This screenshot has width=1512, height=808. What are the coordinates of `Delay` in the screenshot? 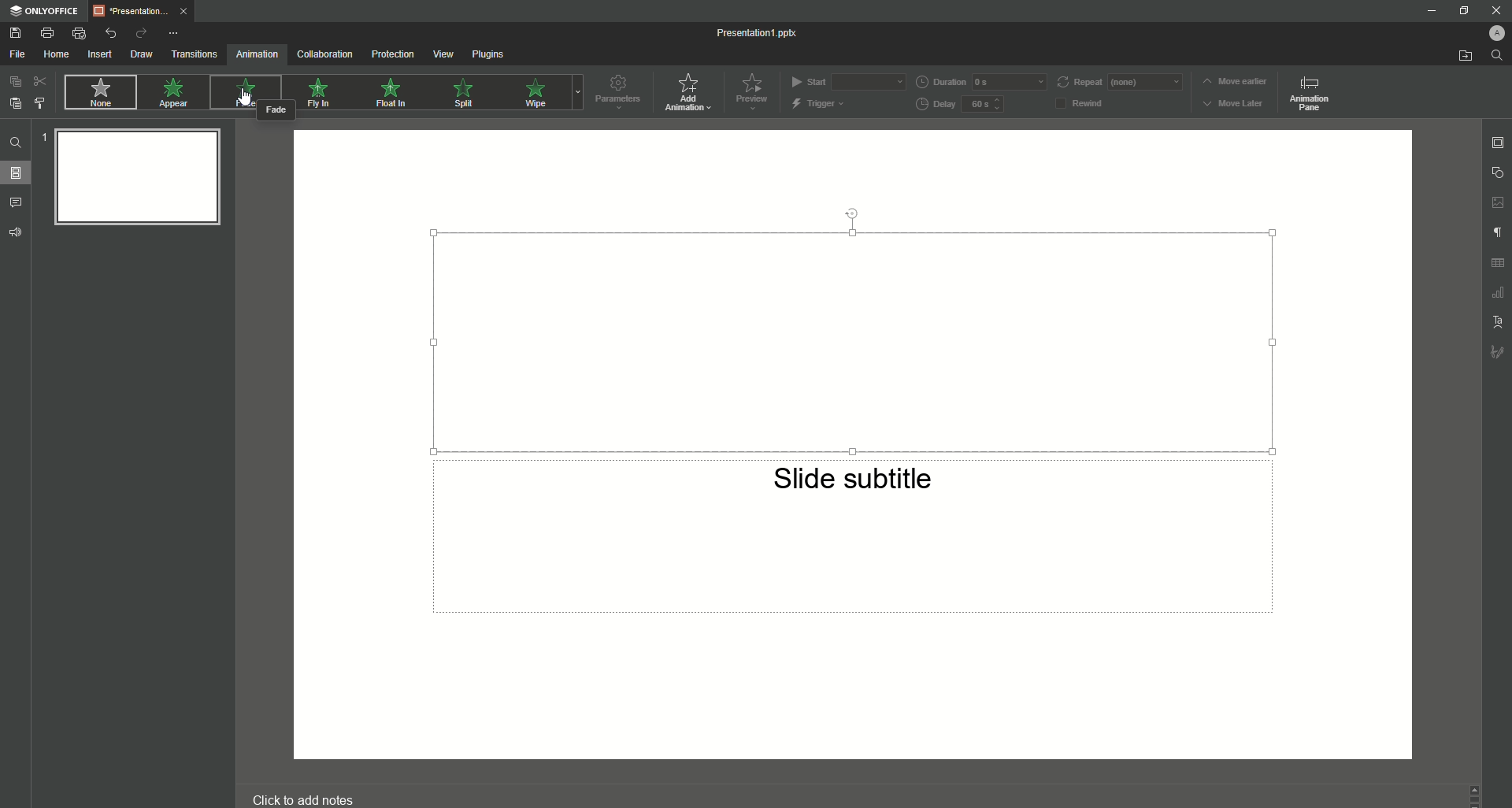 It's located at (965, 105).